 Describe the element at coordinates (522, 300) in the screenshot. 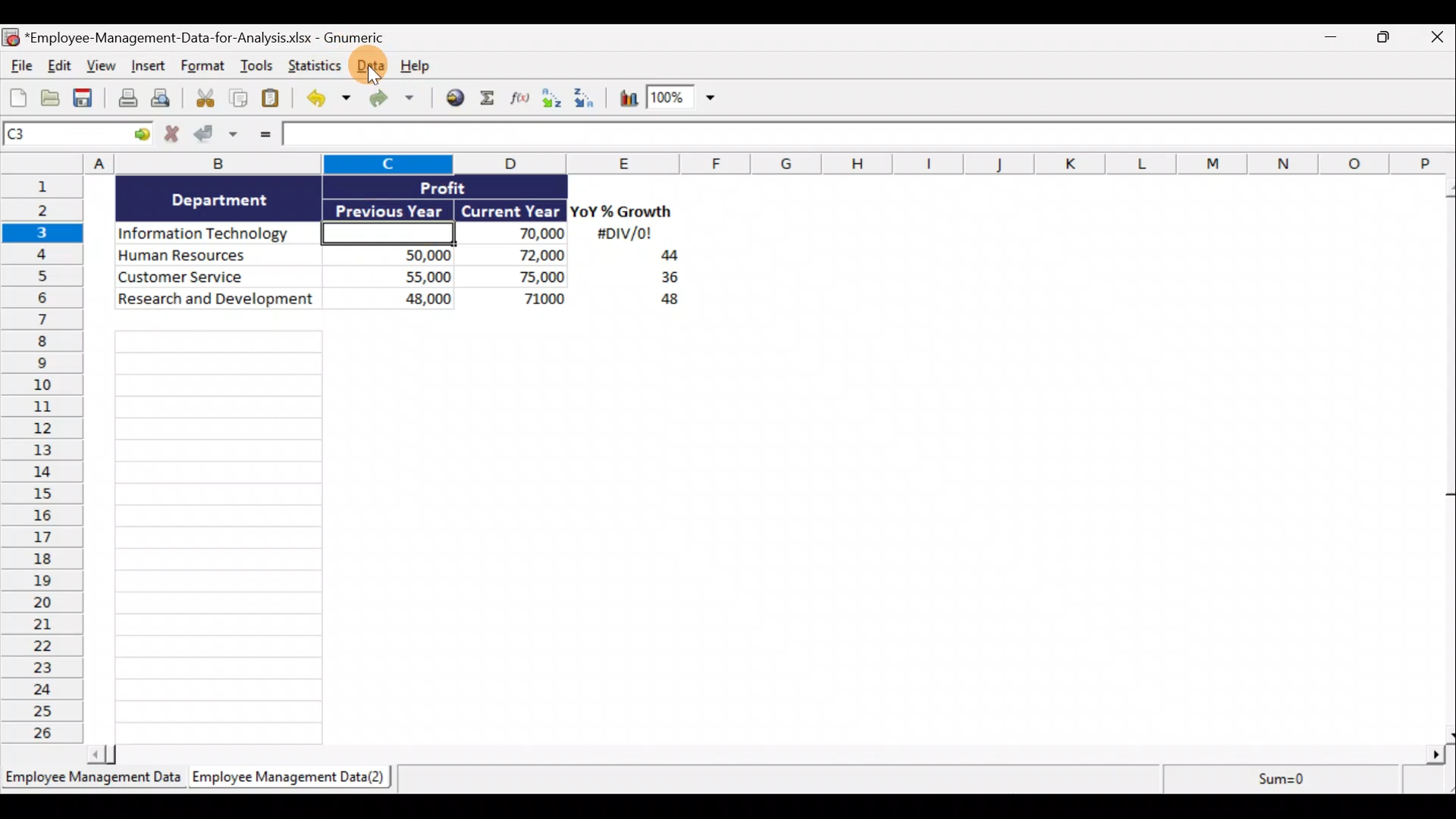

I see `71,000` at that location.